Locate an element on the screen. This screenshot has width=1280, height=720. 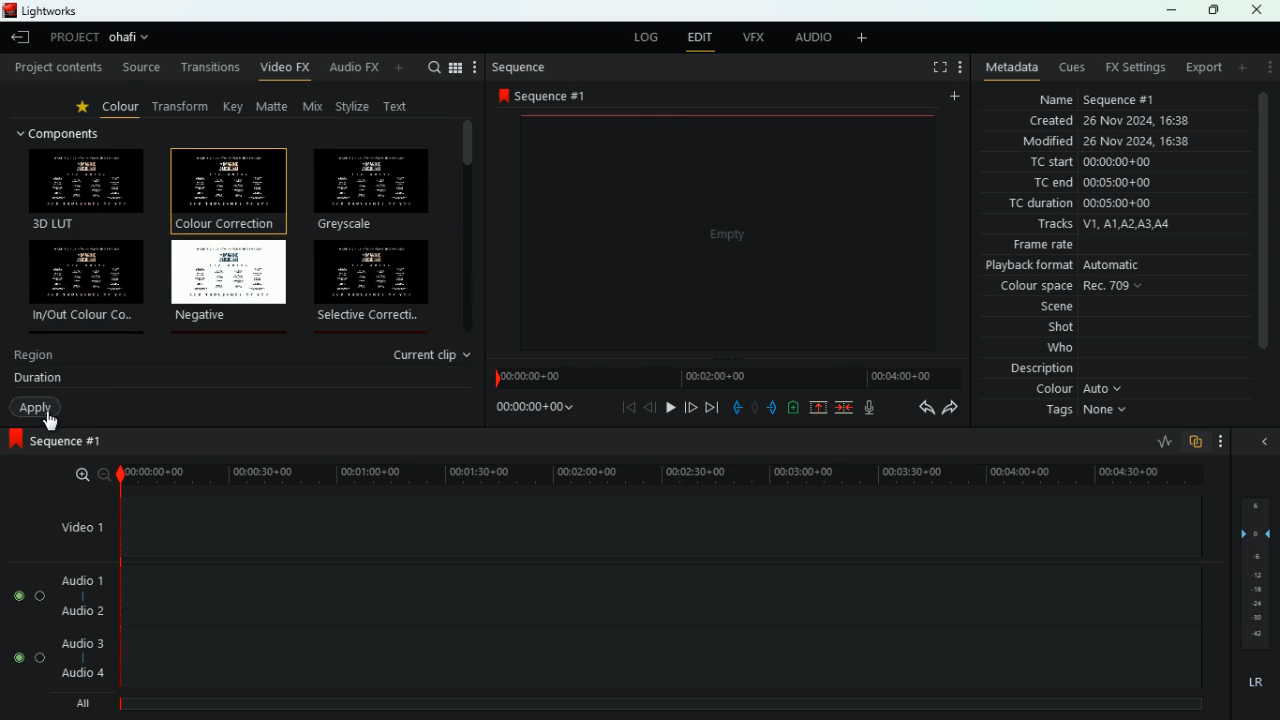
image is located at coordinates (726, 231).